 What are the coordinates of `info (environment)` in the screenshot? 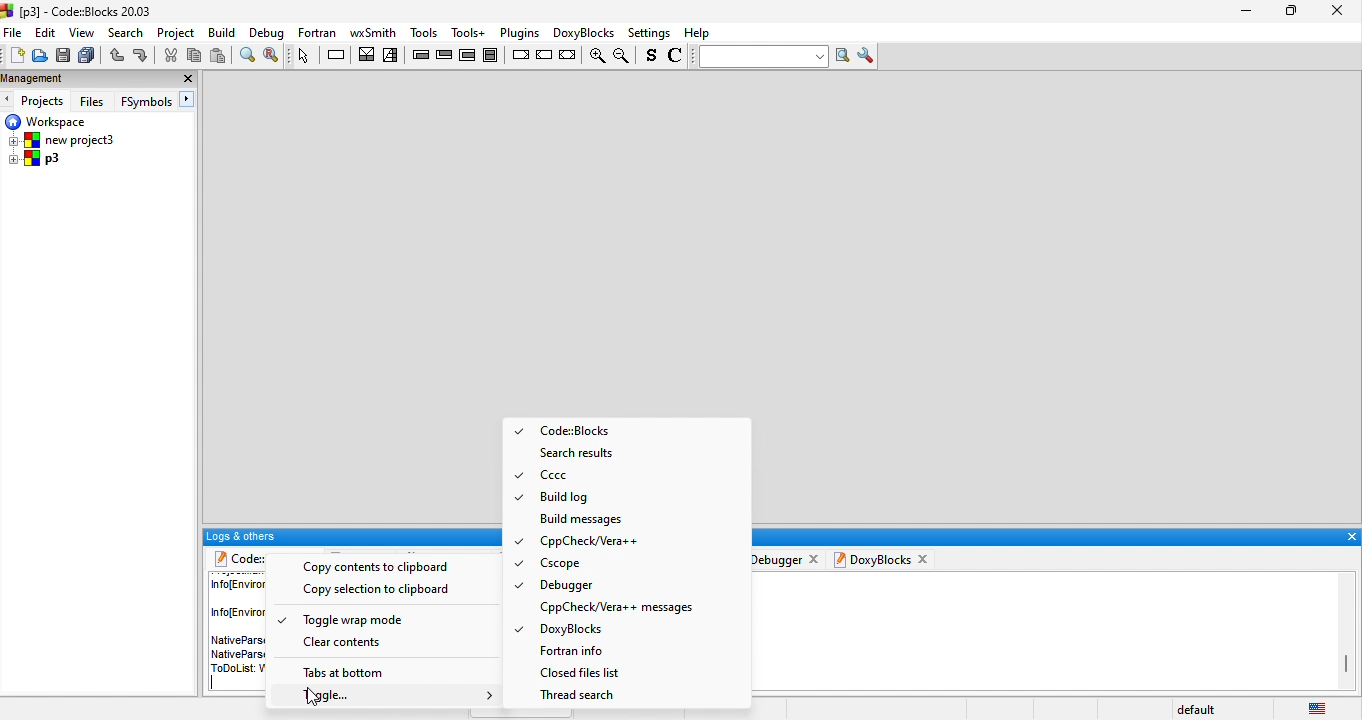 It's located at (236, 599).